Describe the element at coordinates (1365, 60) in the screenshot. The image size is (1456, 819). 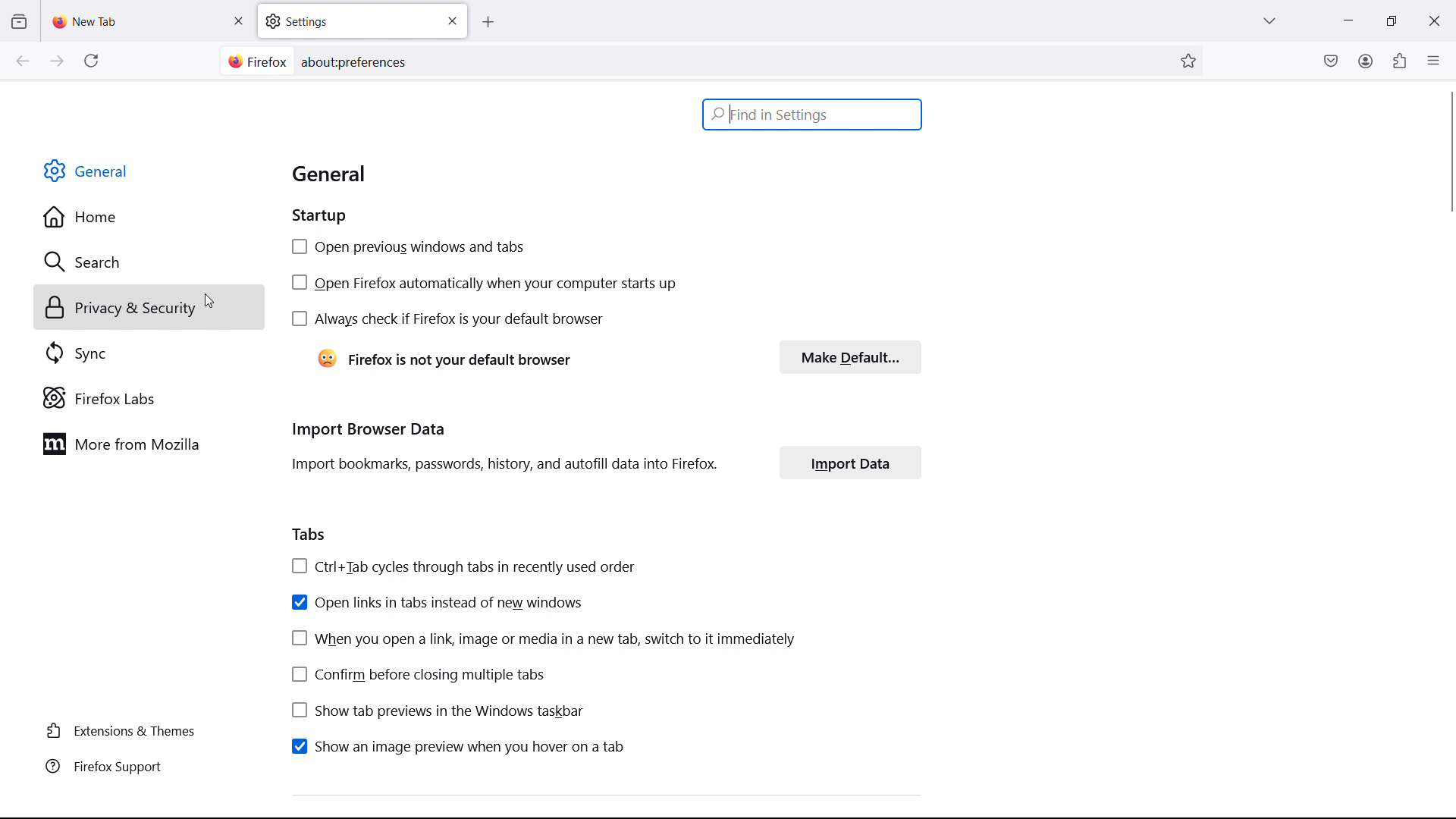
I see `account` at that location.